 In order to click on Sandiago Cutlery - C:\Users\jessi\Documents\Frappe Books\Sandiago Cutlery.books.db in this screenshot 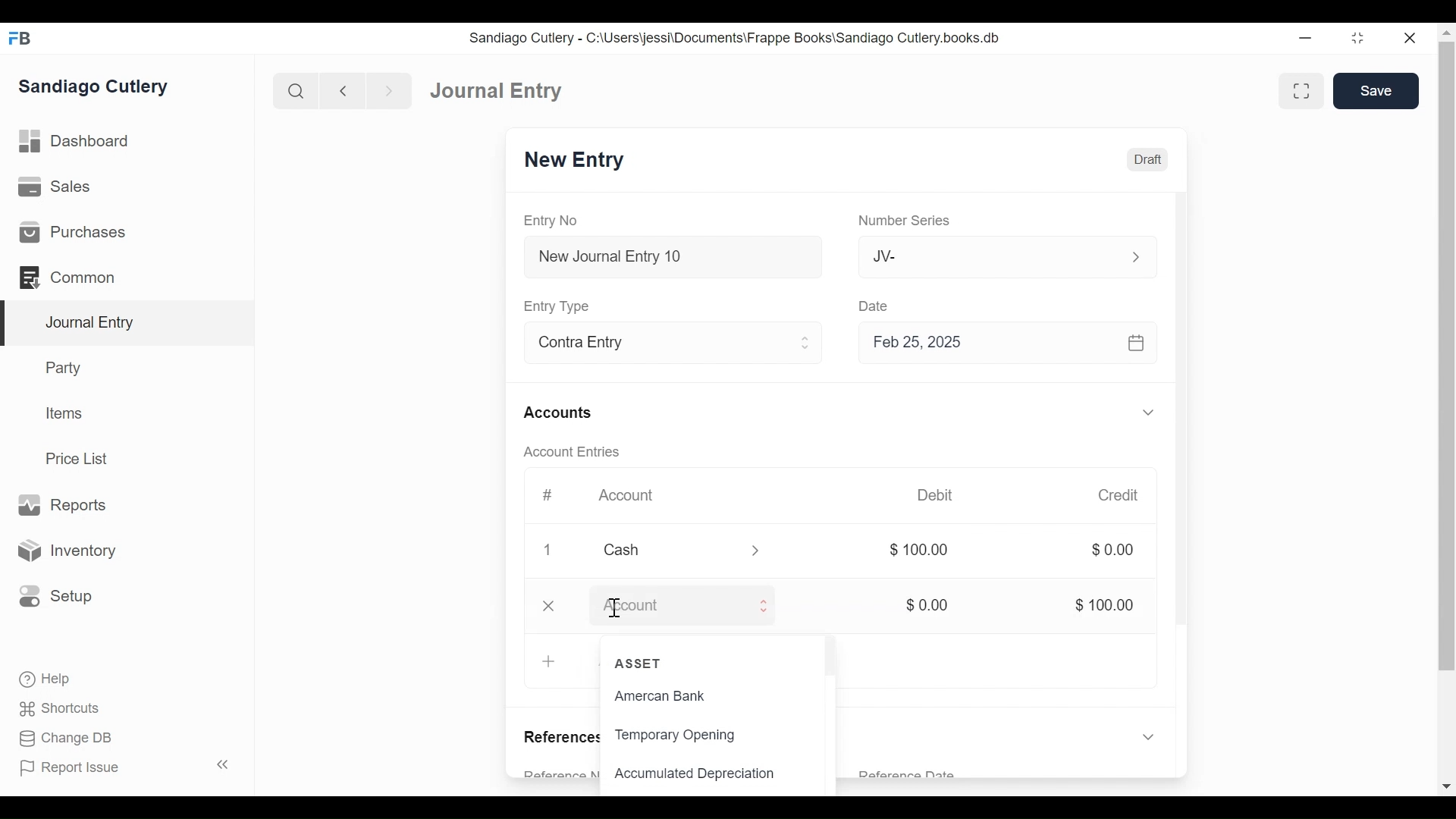, I will do `click(742, 39)`.